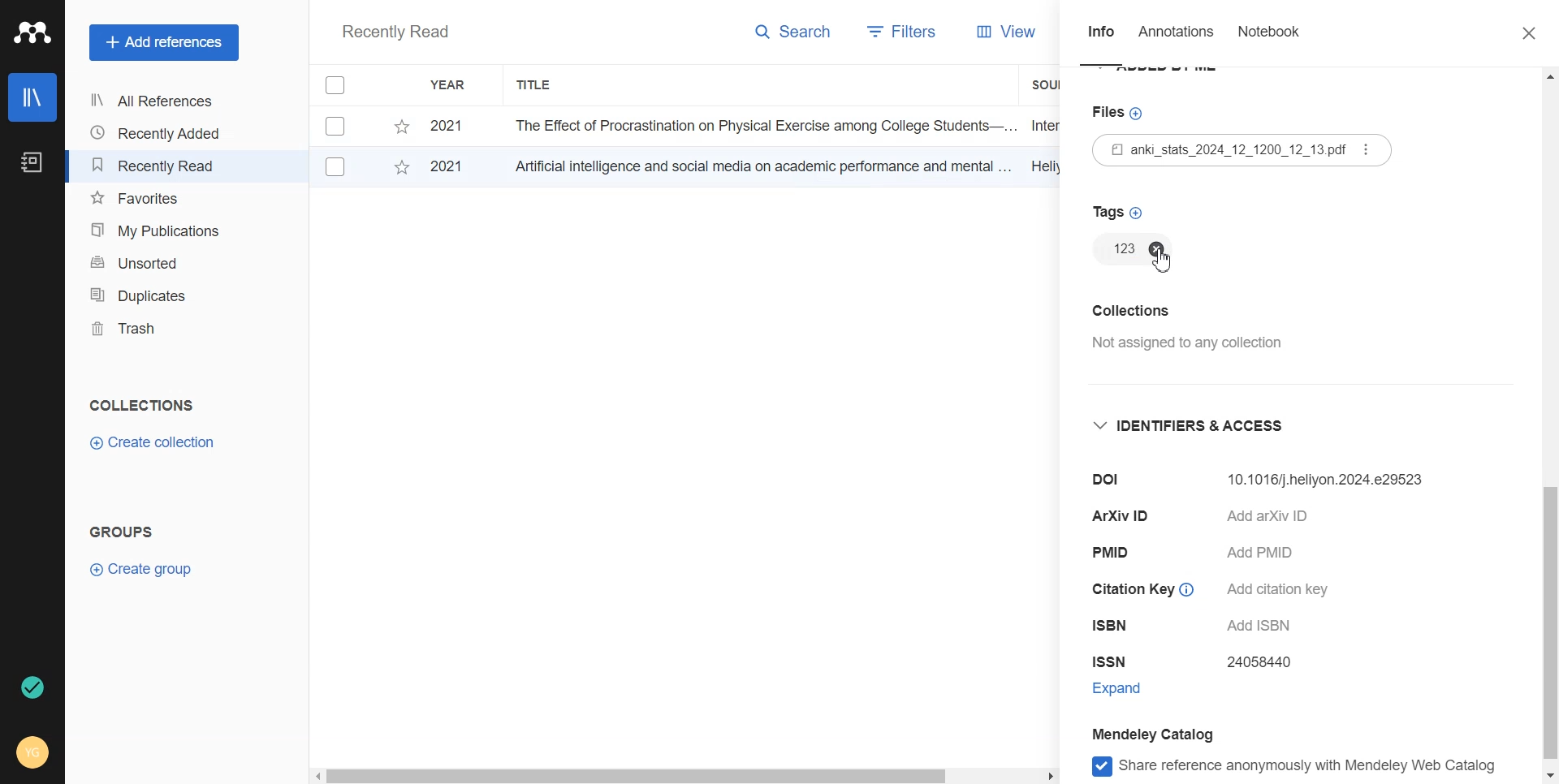 This screenshot has height=784, width=1559. Describe the element at coordinates (30, 687) in the screenshot. I see `Auto sync` at that location.